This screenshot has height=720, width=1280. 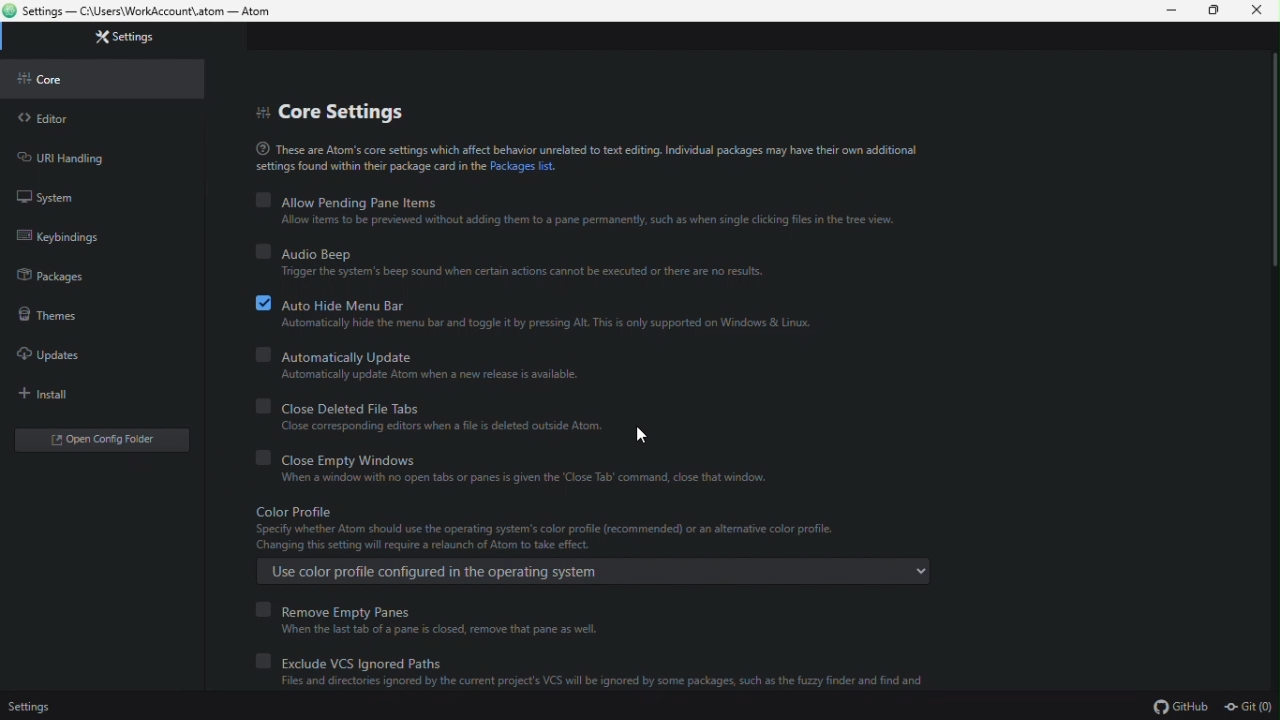 What do you see at coordinates (60, 236) in the screenshot?
I see `Key binding` at bounding box center [60, 236].